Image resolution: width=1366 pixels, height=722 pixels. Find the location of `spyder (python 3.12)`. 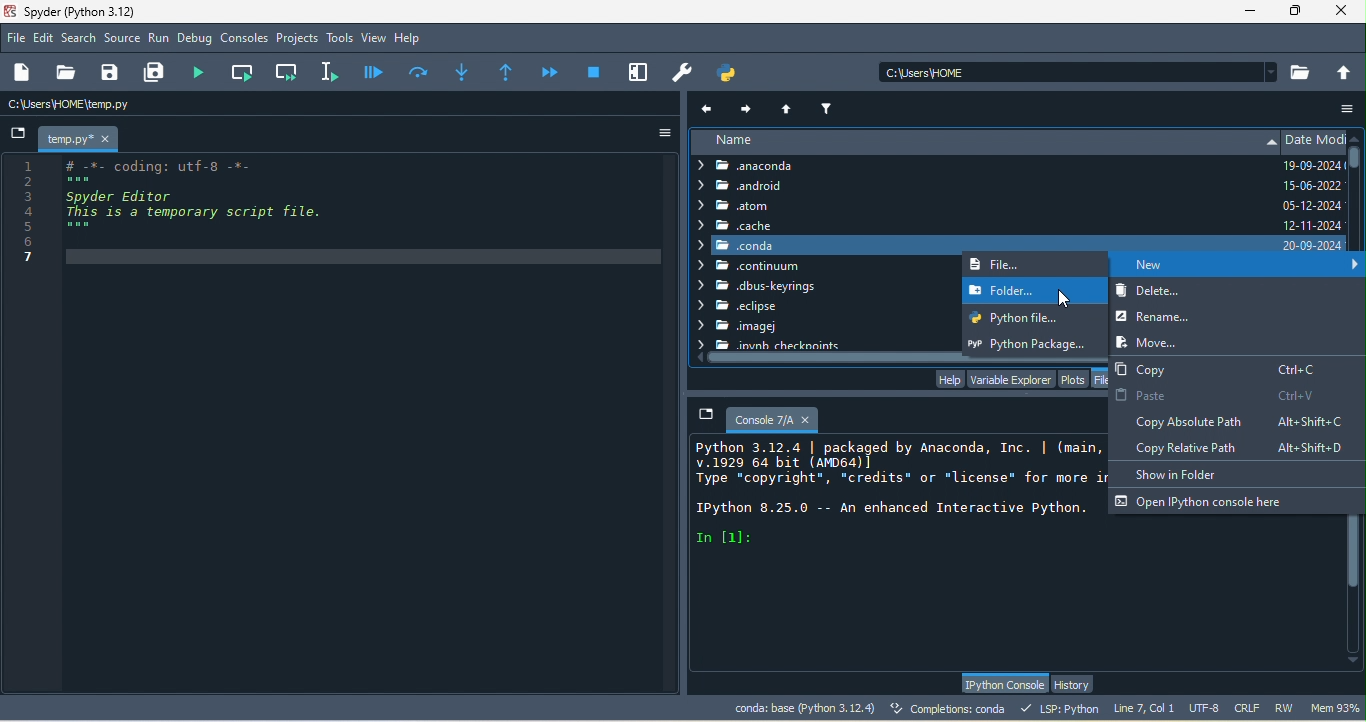

spyder (python 3.12) is located at coordinates (89, 11).